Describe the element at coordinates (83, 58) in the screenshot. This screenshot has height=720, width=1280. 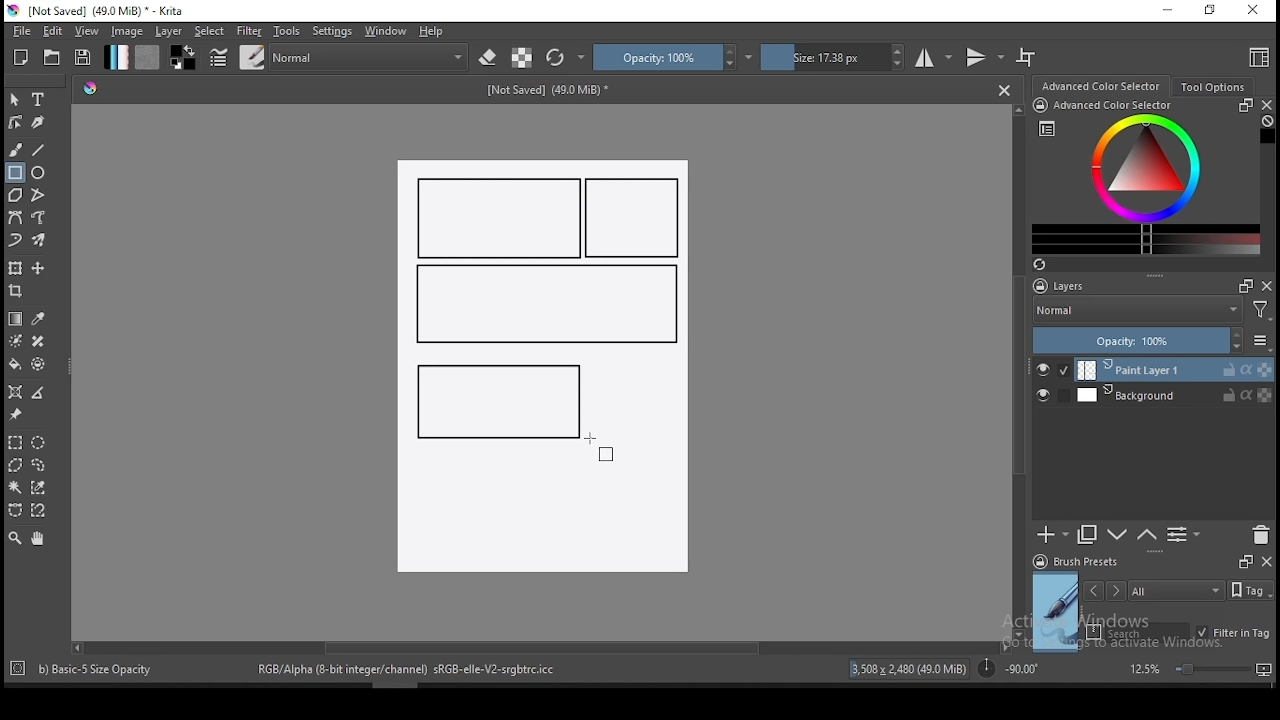
I see `save` at that location.